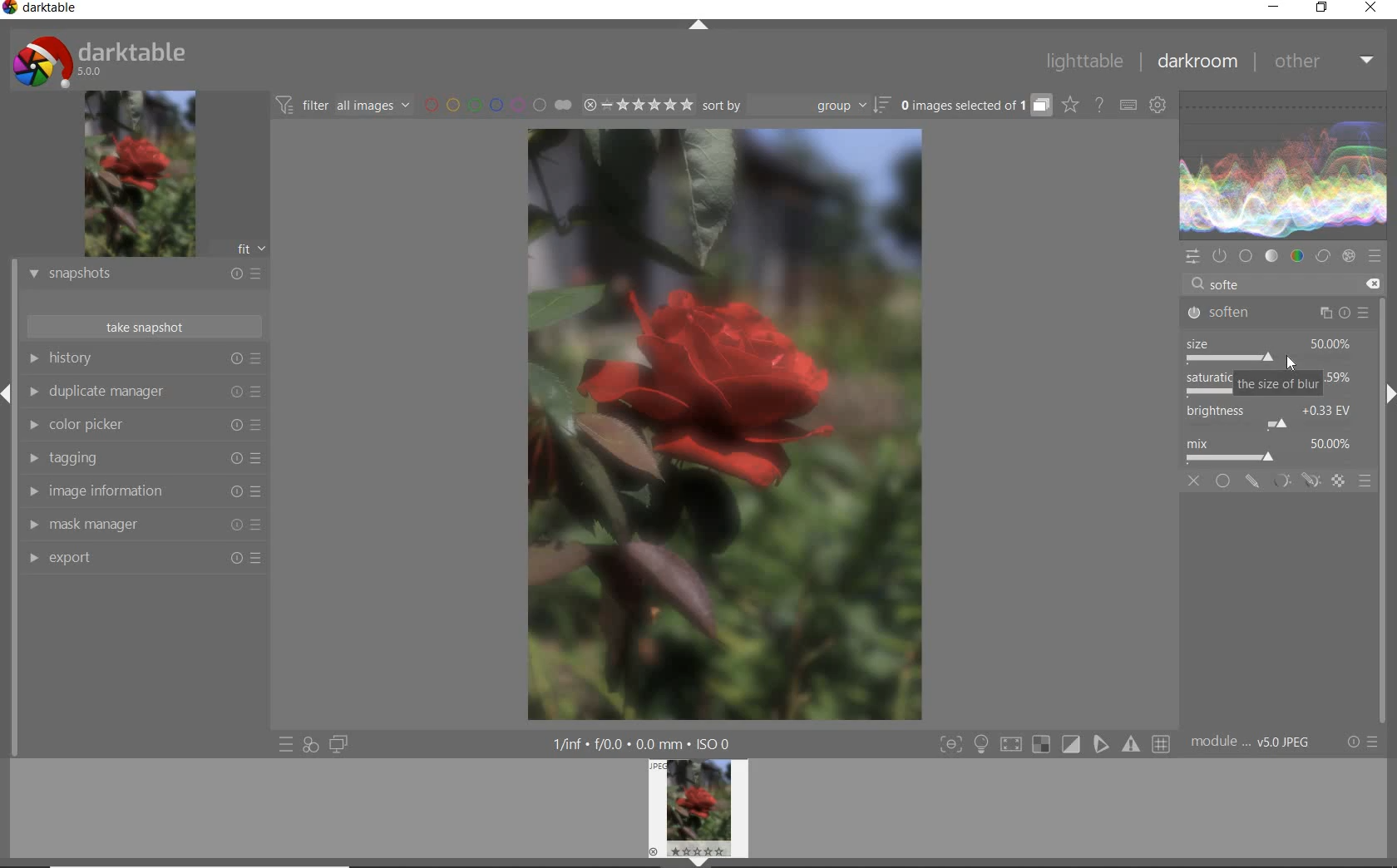  Describe the element at coordinates (1374, 284) in the screenshot. I see `delete` at that location.